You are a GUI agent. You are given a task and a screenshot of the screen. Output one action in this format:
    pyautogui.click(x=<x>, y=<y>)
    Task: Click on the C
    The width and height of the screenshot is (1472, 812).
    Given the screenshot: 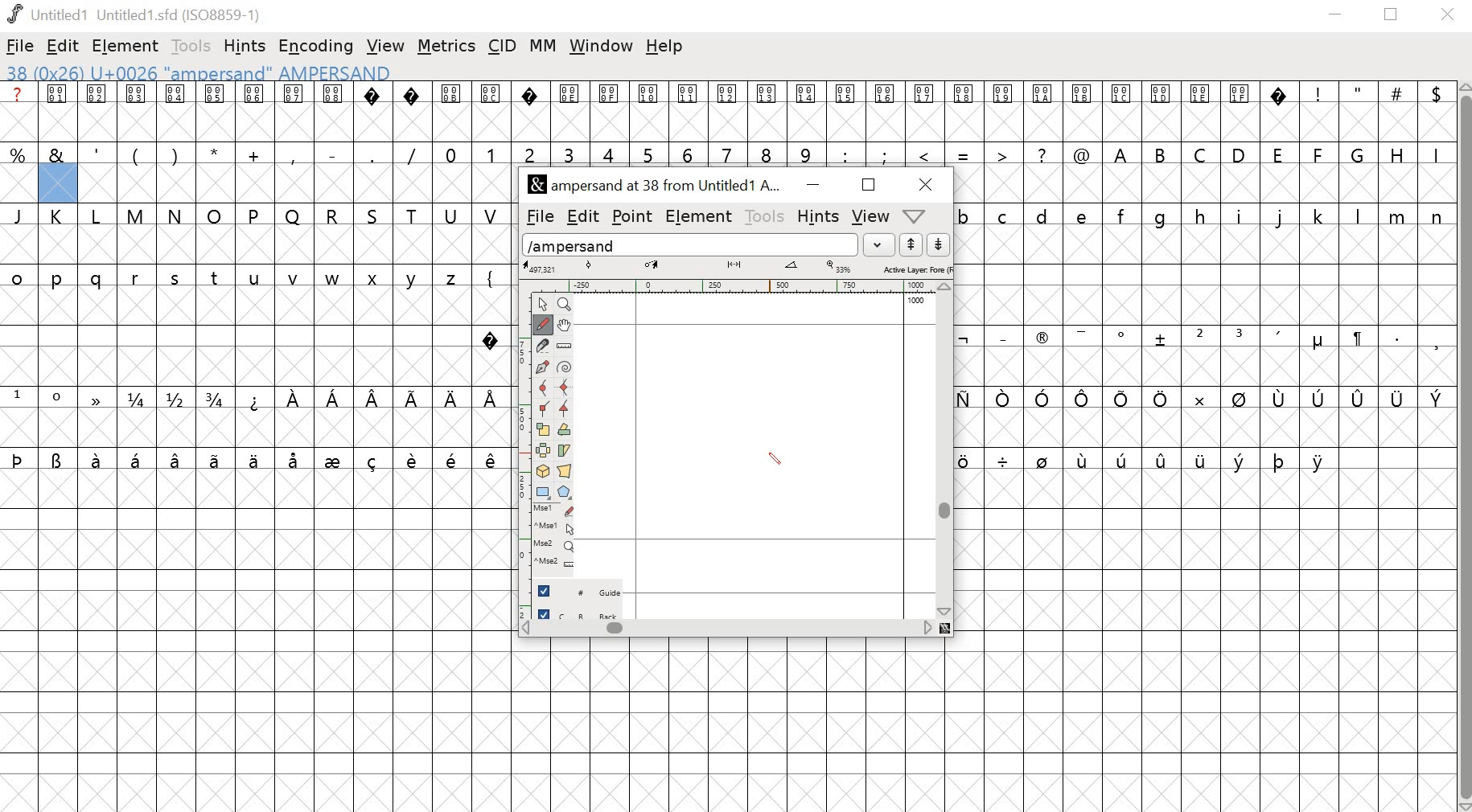 What is the action you would take?
    pyautogui.click(x=1203, y=154)
    